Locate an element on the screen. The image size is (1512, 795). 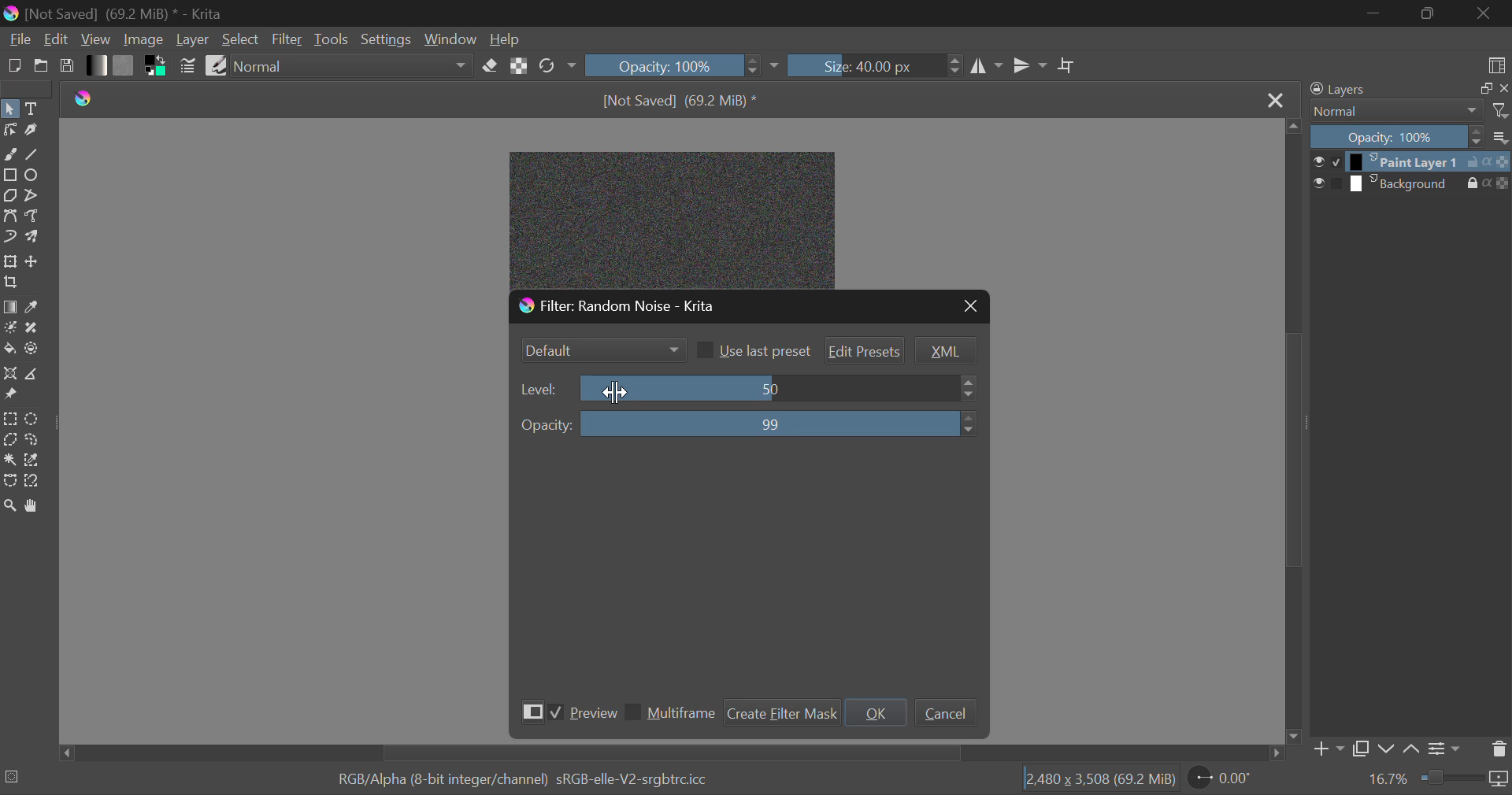
Select is located at coordinates (240, 39).